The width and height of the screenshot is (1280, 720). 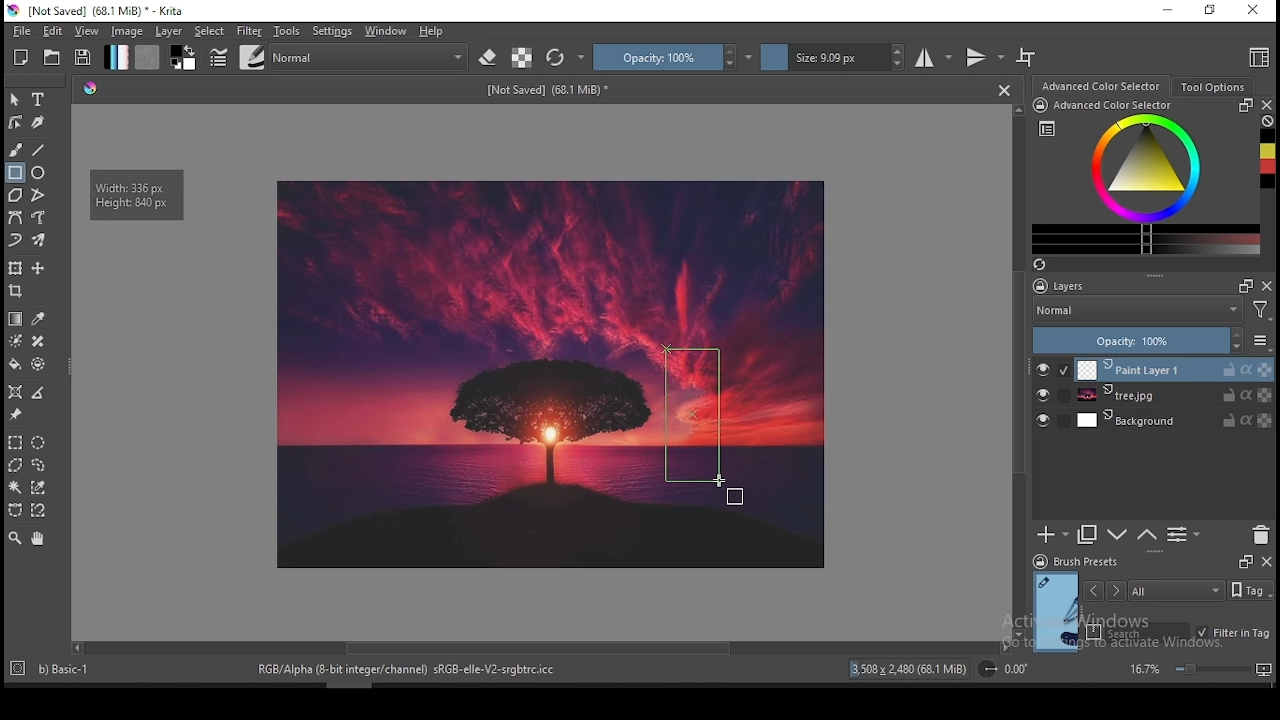 What do you see at coordinates (1027, 57) in the screenshot?
I see `wrap around mode` at bounding box center [1027, 57].